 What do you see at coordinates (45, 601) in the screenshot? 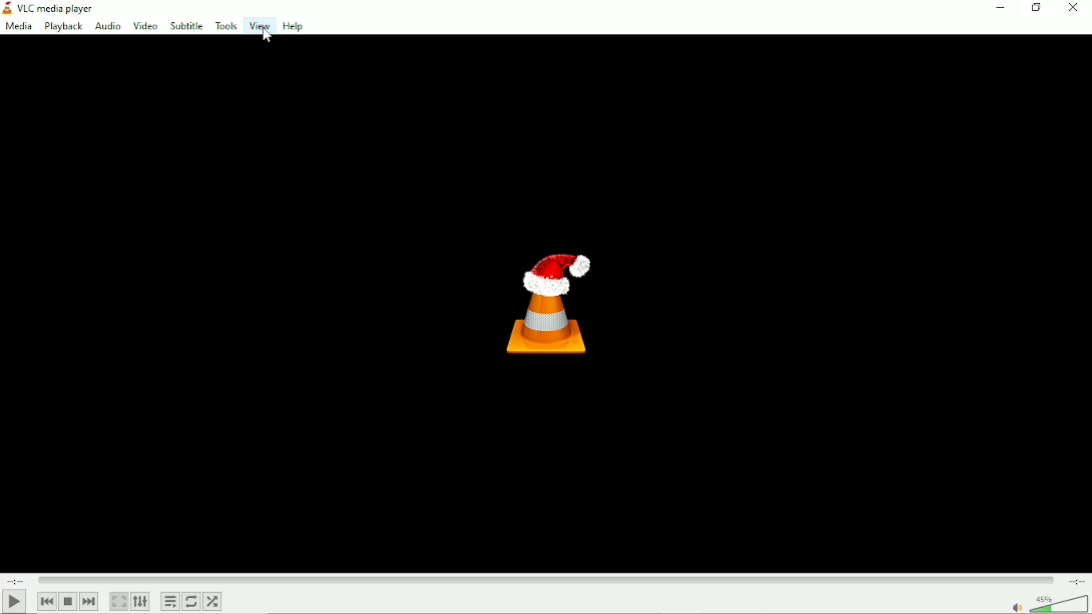
I see `Previous` at bounding box center [45, 601].